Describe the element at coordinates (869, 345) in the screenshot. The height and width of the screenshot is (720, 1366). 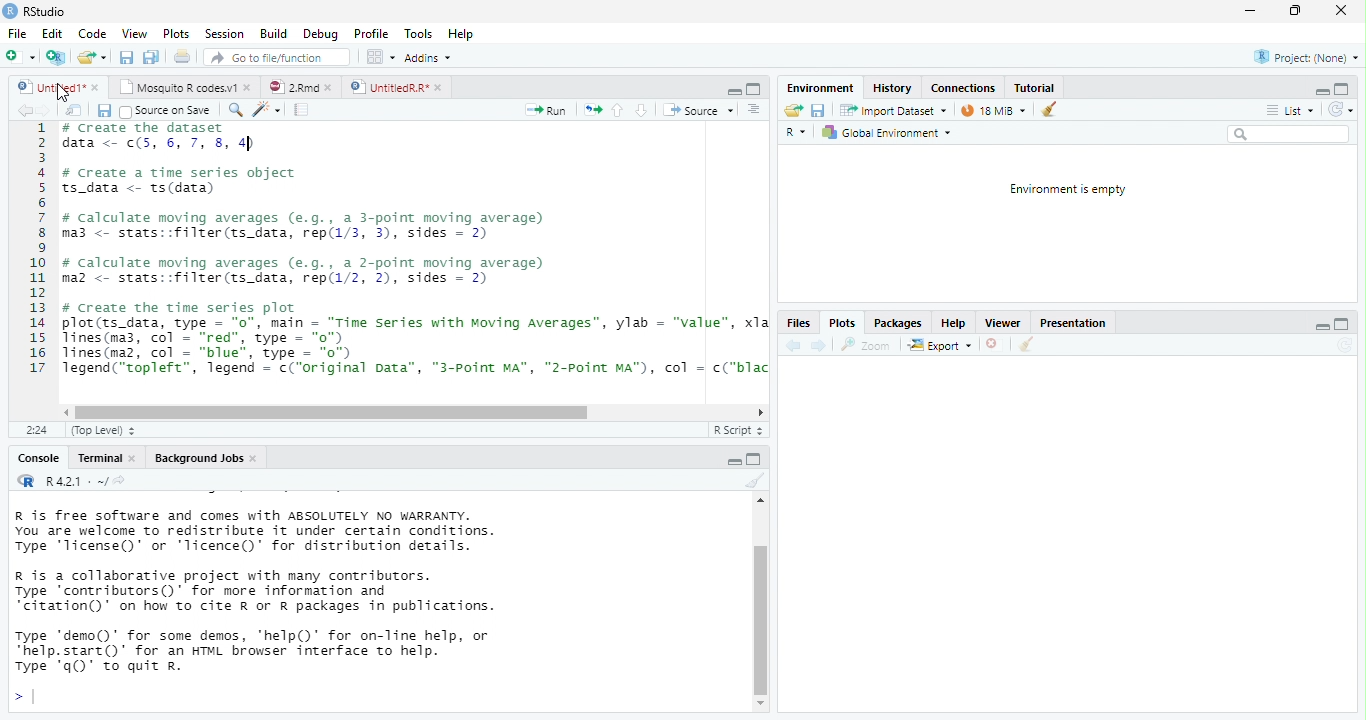
I see `zoom` at that location.